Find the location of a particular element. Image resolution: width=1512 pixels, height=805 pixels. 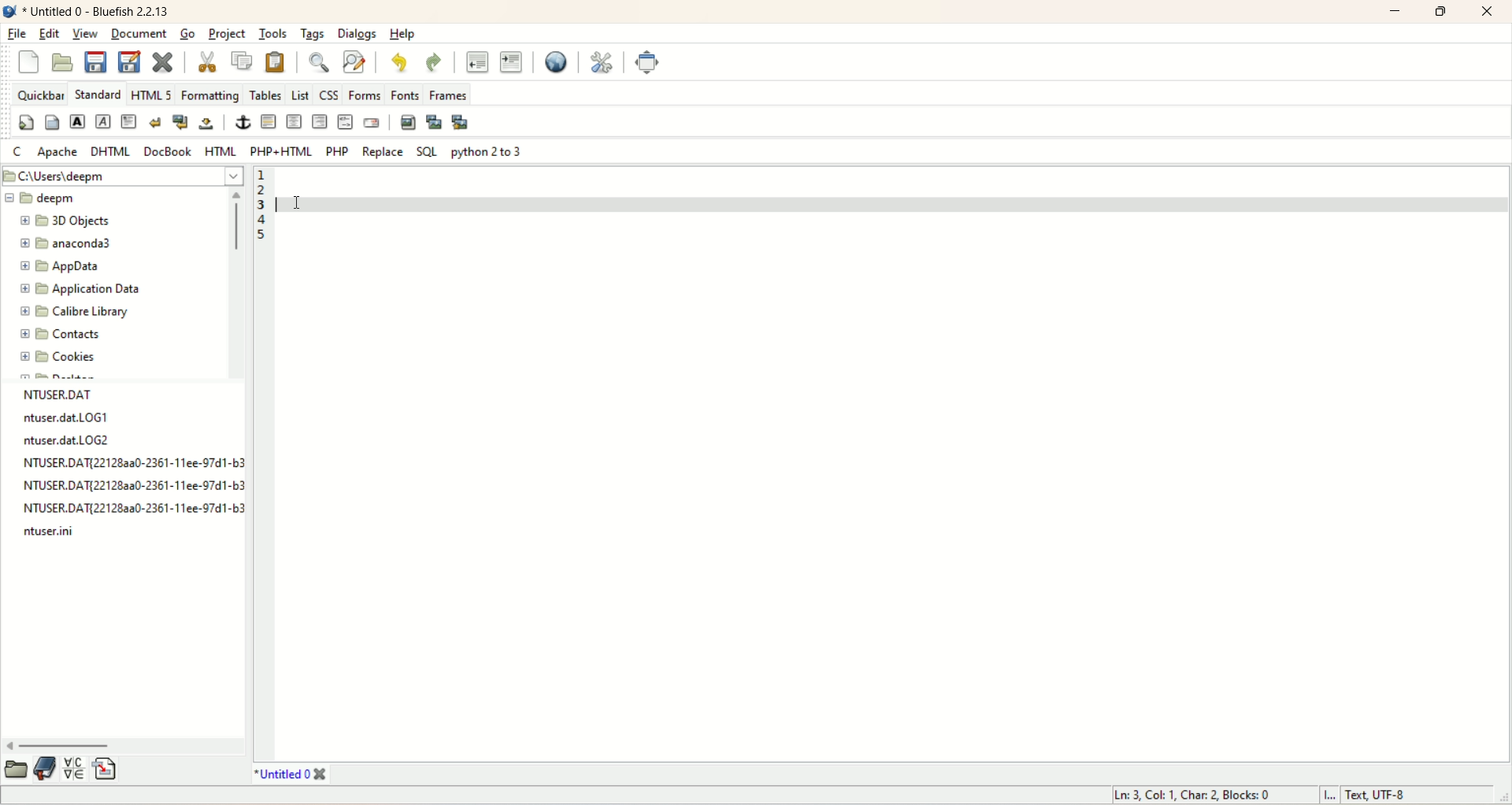

paragraph is located at coordinates (130, 121).